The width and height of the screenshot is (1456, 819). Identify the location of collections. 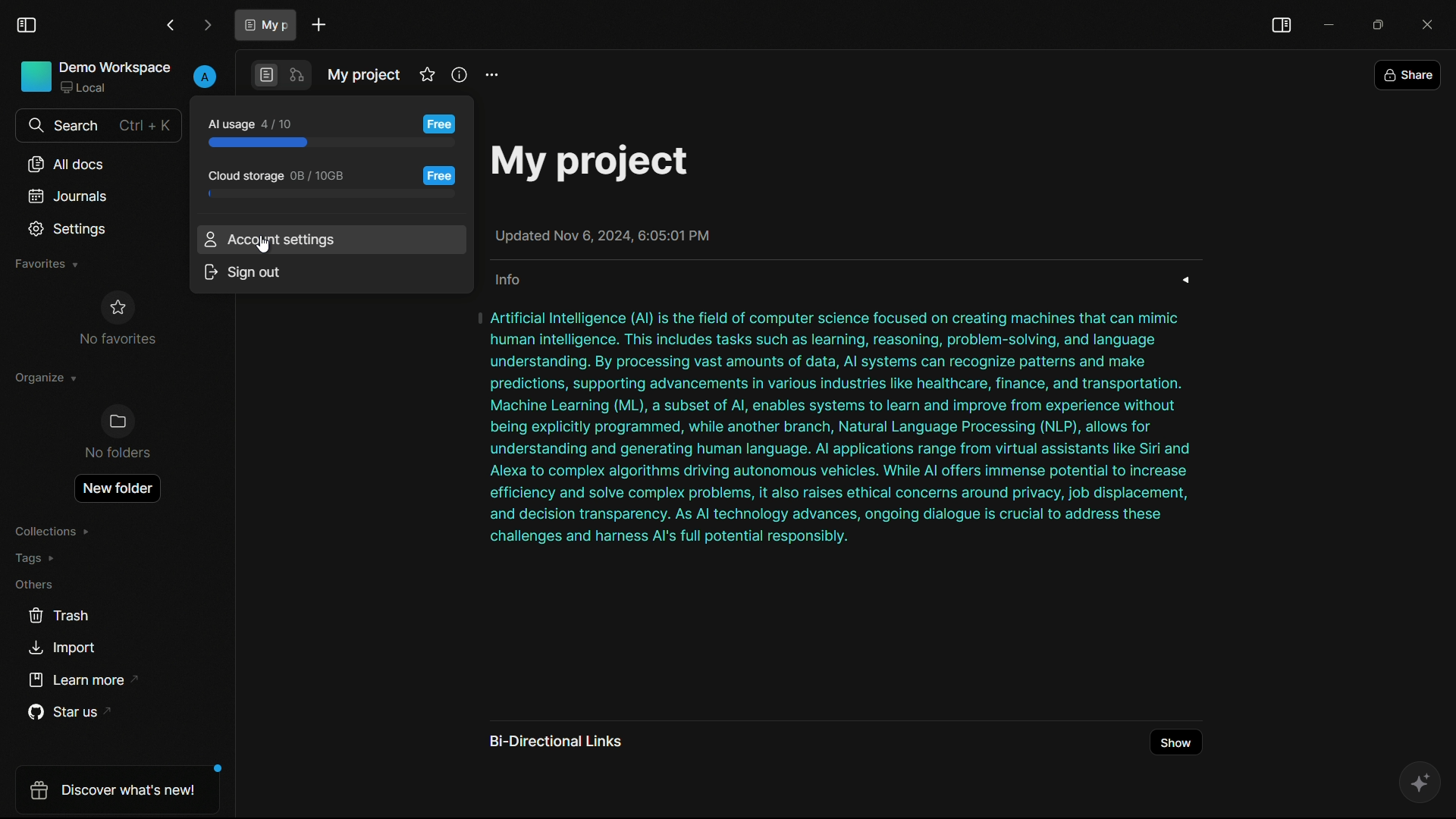
(52, 532).